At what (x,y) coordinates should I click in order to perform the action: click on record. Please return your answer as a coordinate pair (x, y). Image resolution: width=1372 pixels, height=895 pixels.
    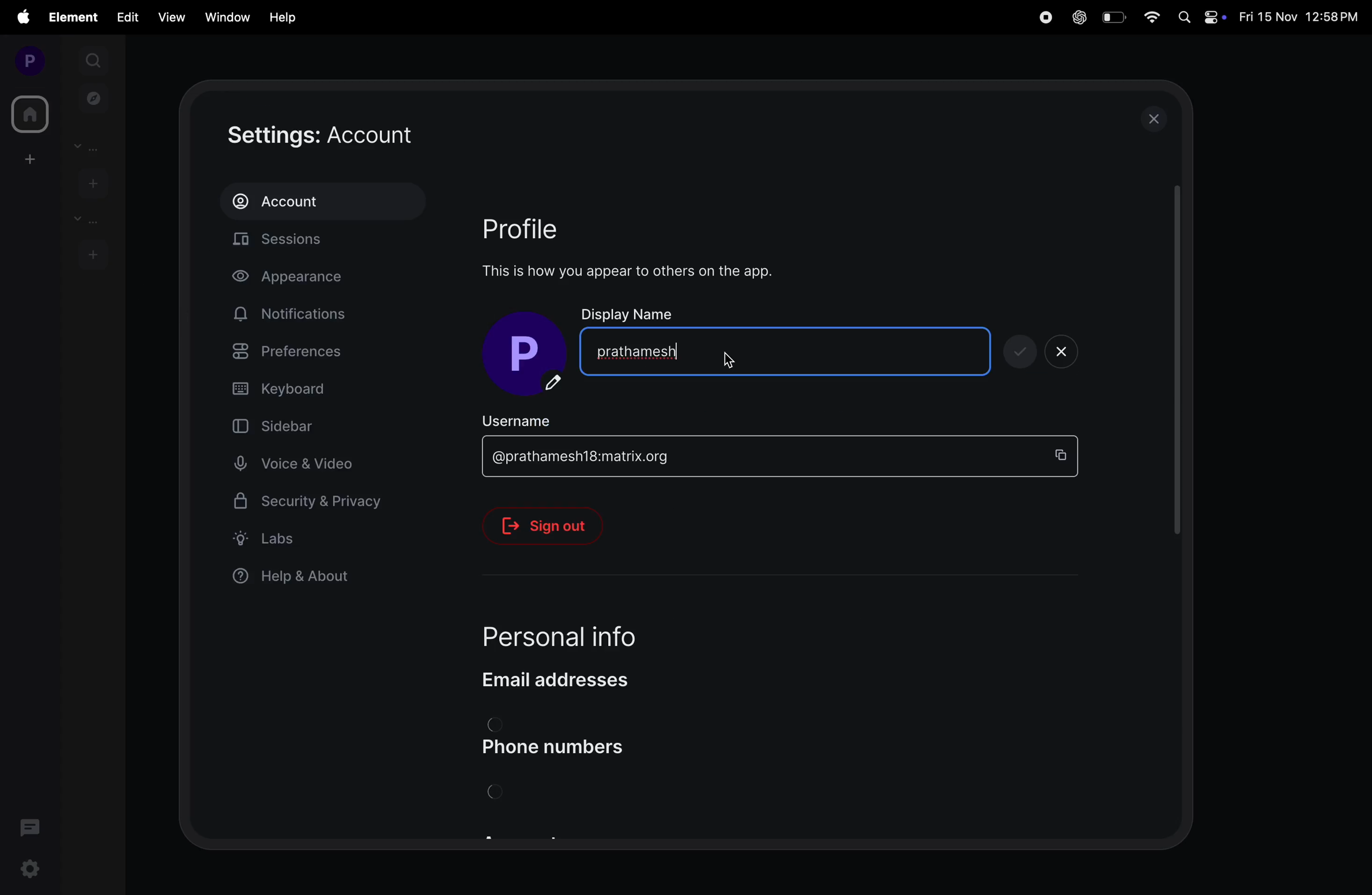
    Looking at the image, I should click on (1043, 17).